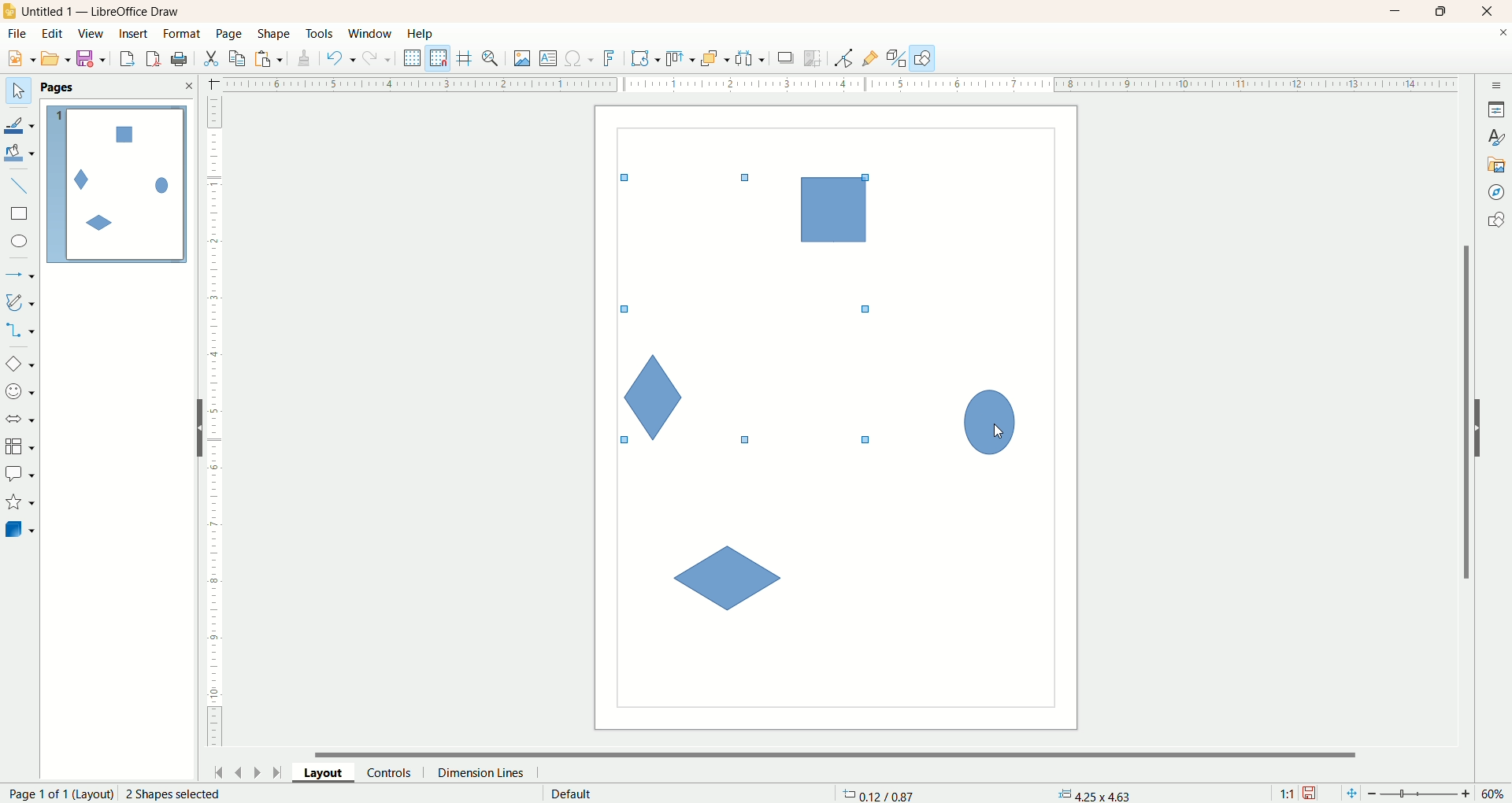  What do you see at coordinates (188, 86) in the screenshot?
I see `close` at bounding box center [188, 86].